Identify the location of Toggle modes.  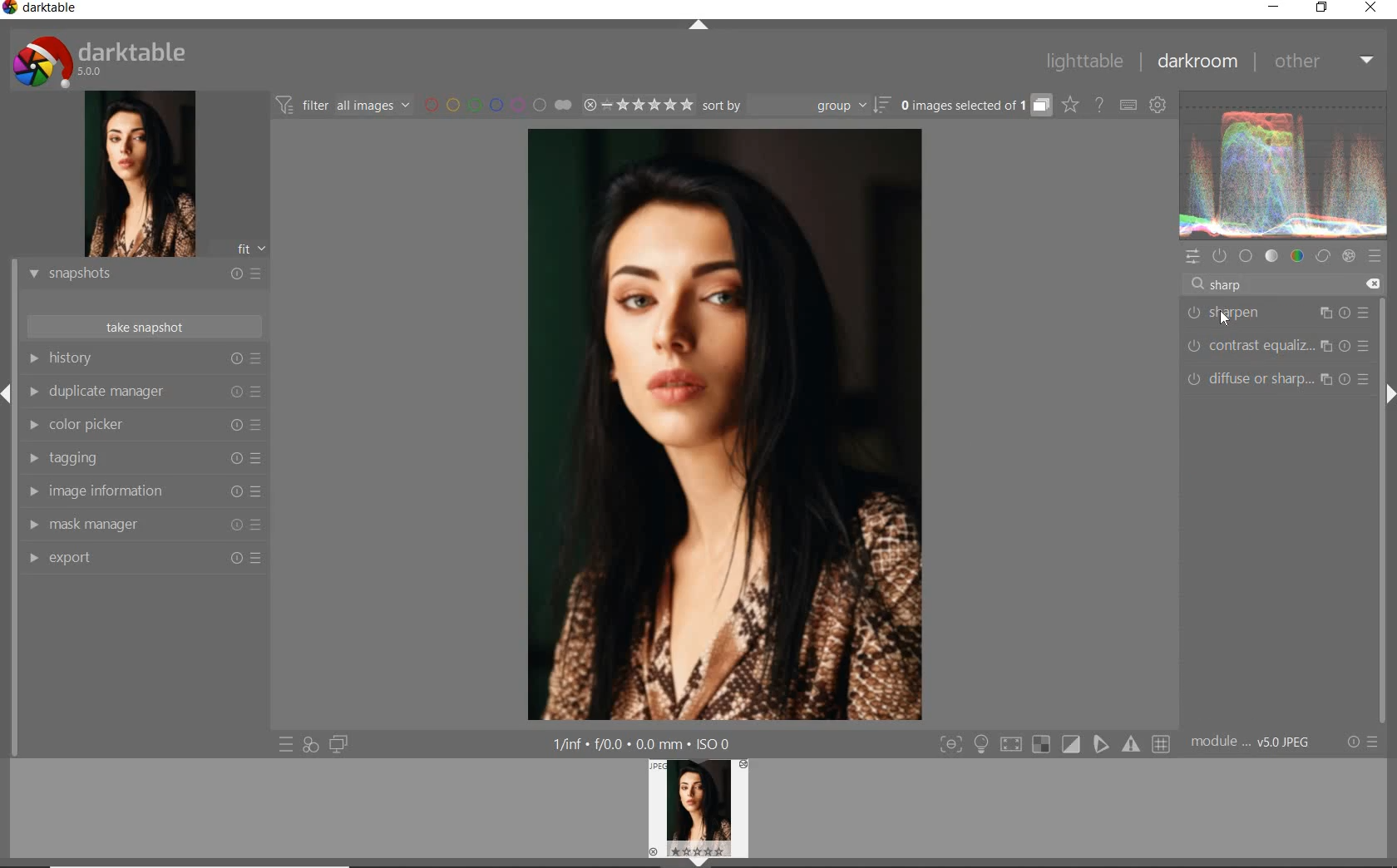
(1054, 744).